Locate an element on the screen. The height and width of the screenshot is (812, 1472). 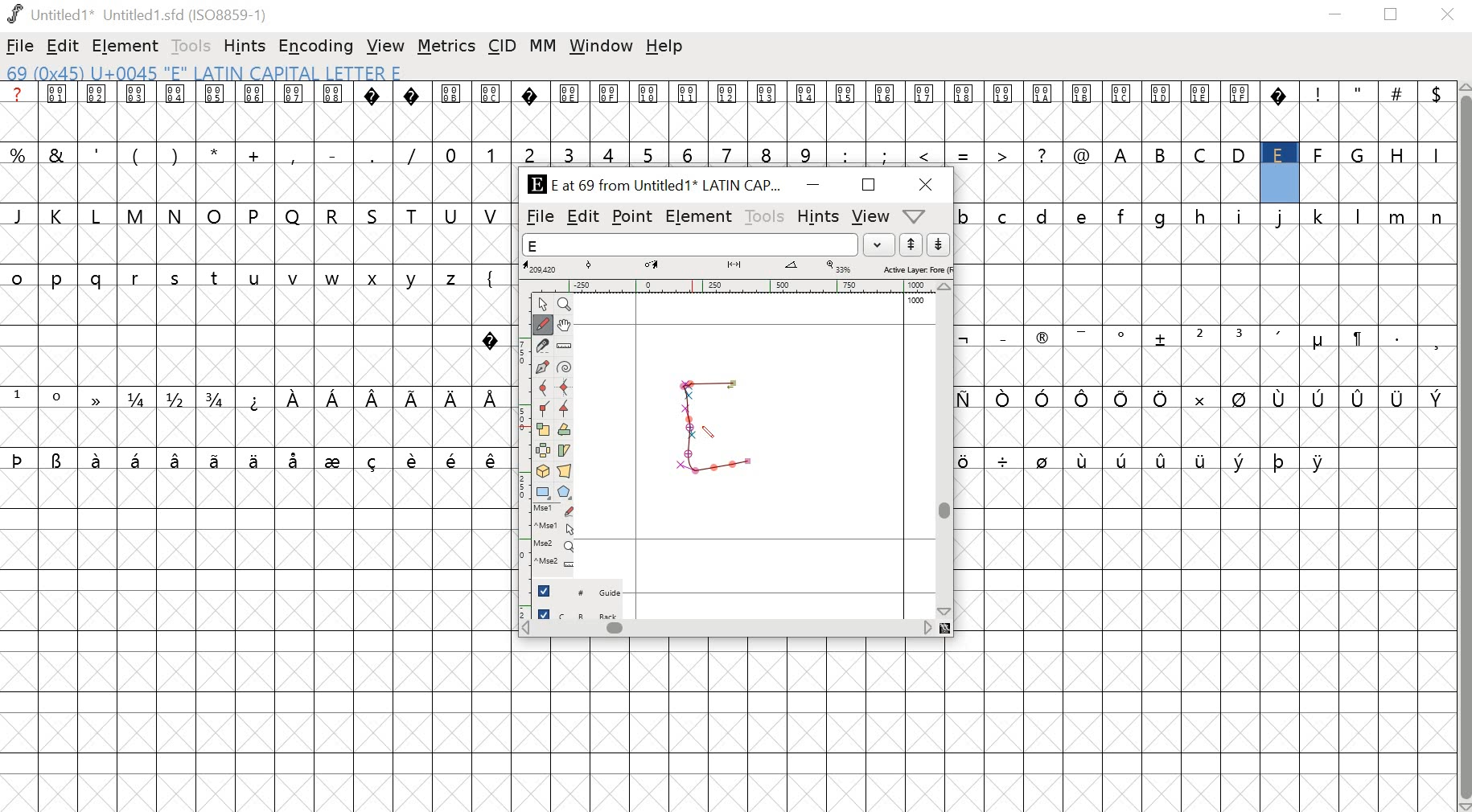
dropdown is located at coordinates (880, 244).